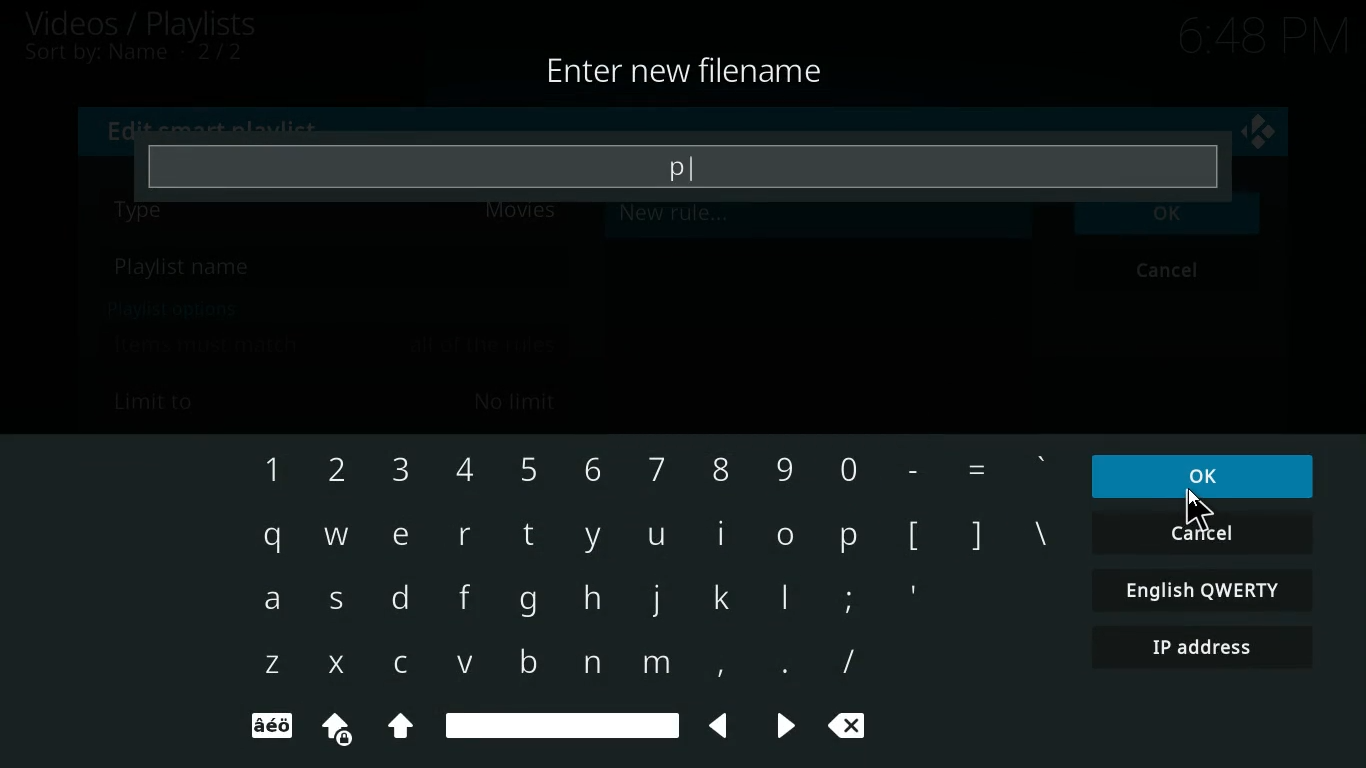  What do you see at coordinates (655, 667) in the screenshot?
I see `m` at bounding box center [655, 667].